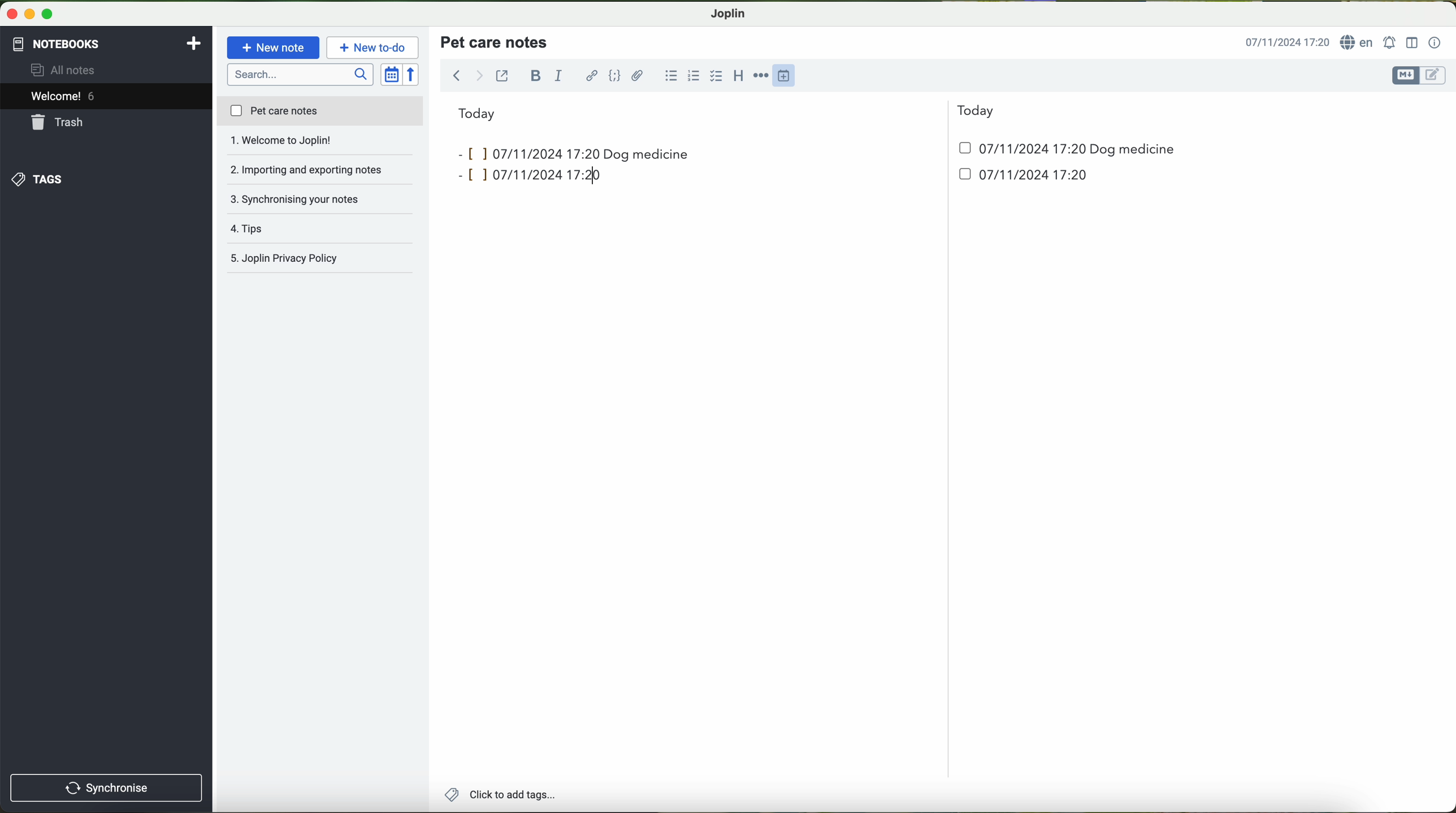 This screenshot has width=1456, height=813. What do you see at coordinates (414, 75) in the screenshot?
I see `reverse sort order` at bounding box center [414, 75].